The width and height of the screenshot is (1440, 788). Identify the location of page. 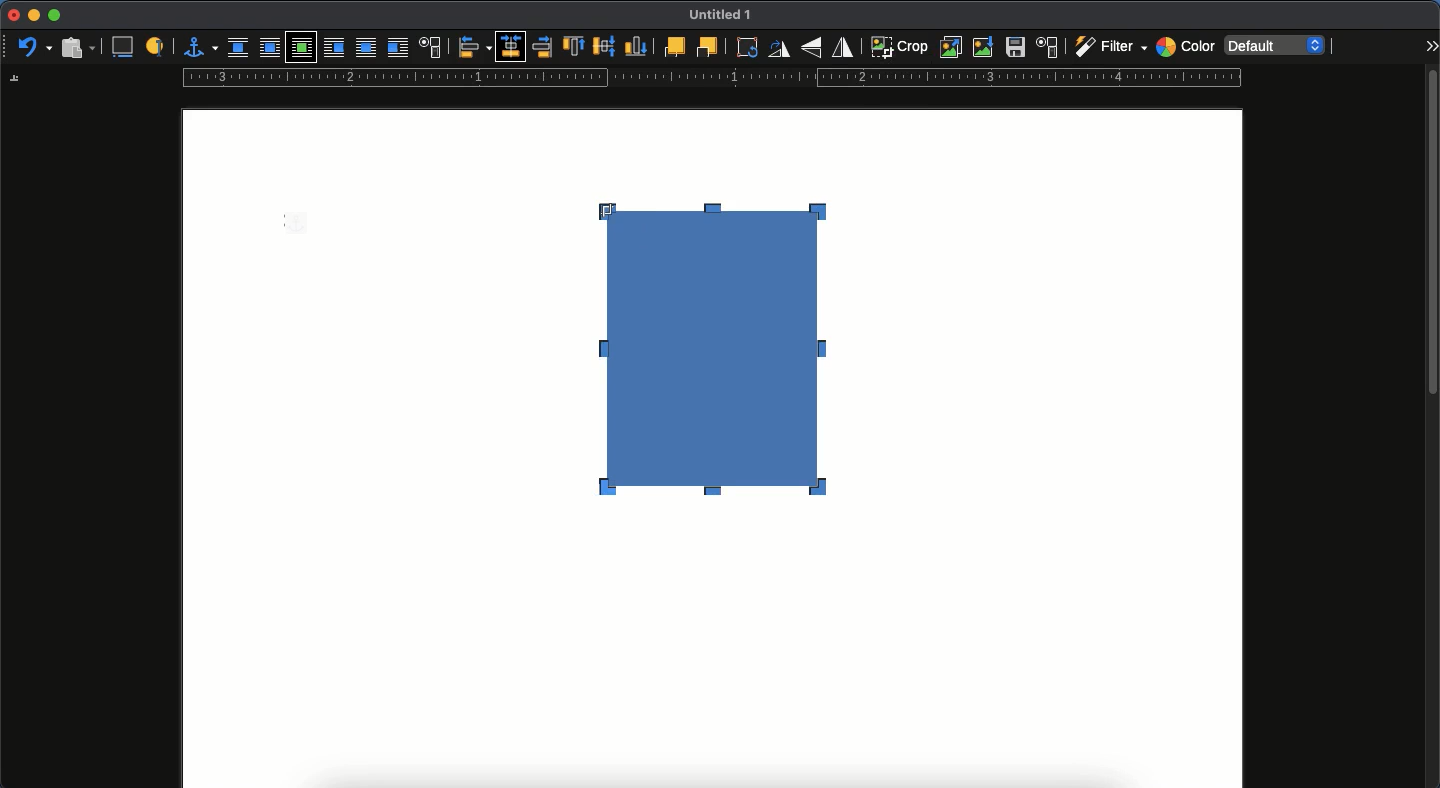
(712, 657).